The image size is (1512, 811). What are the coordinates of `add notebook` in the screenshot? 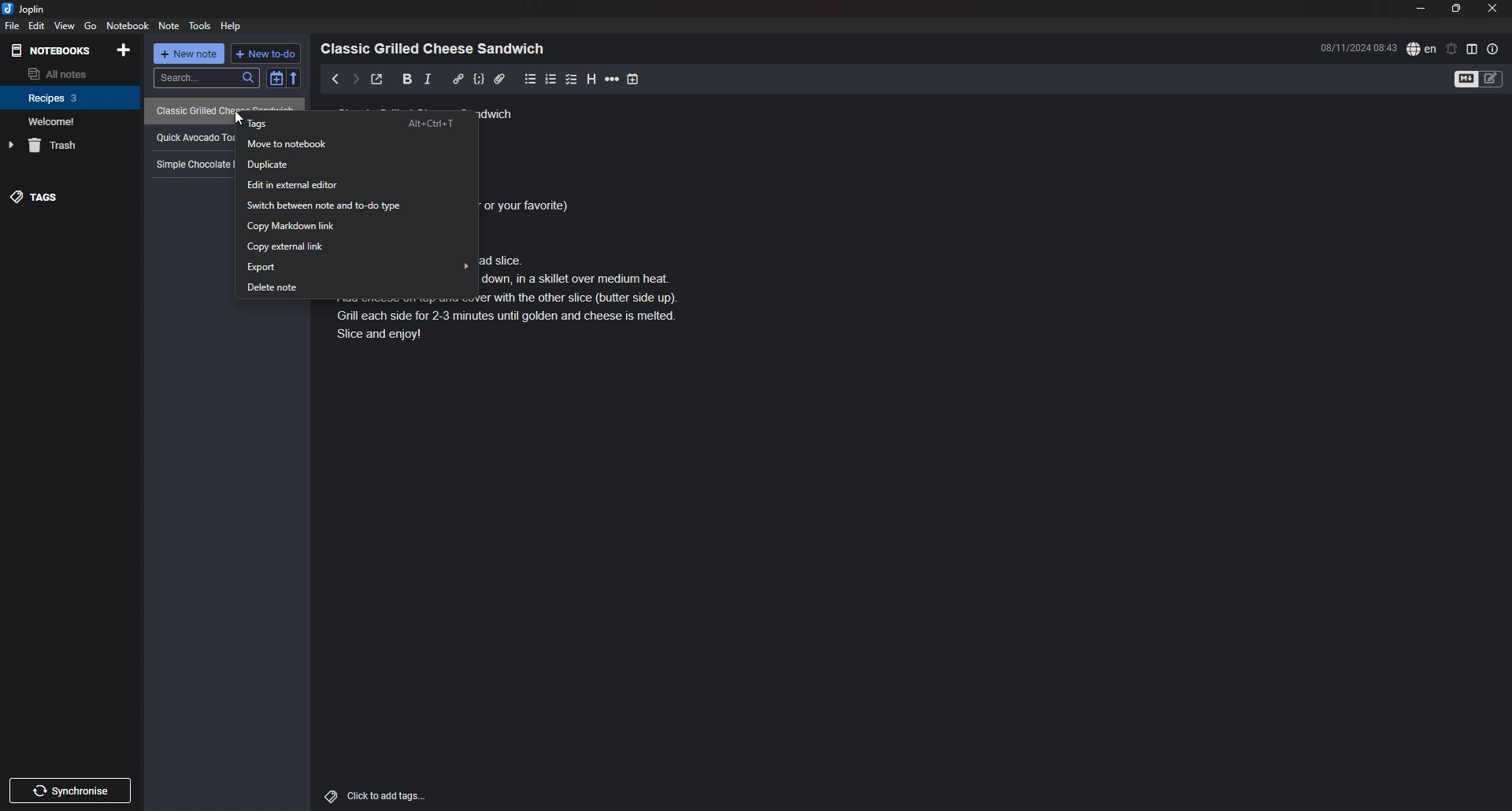 It's located at (125, 49).